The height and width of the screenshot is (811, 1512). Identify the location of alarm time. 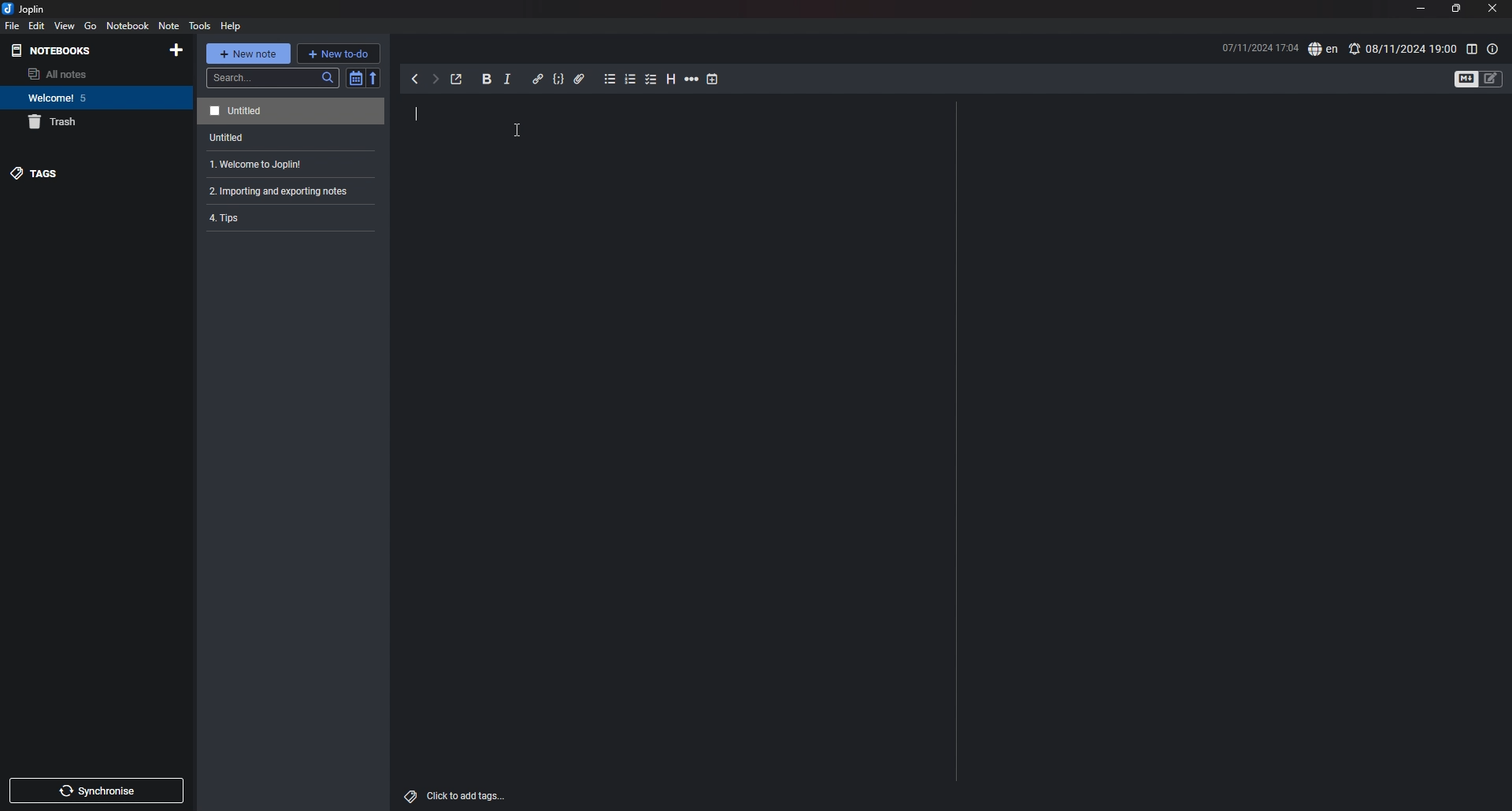
(1411, 49).